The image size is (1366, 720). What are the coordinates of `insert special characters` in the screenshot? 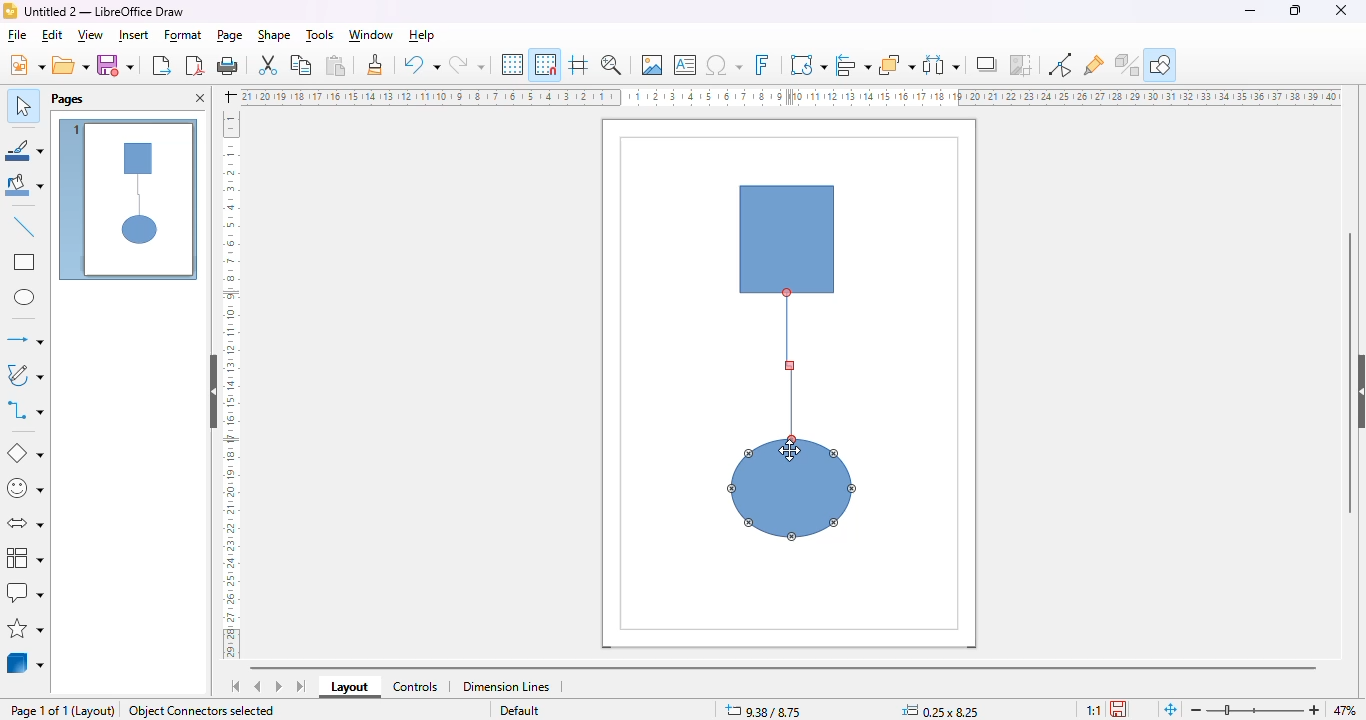 It's located at (724, 65).